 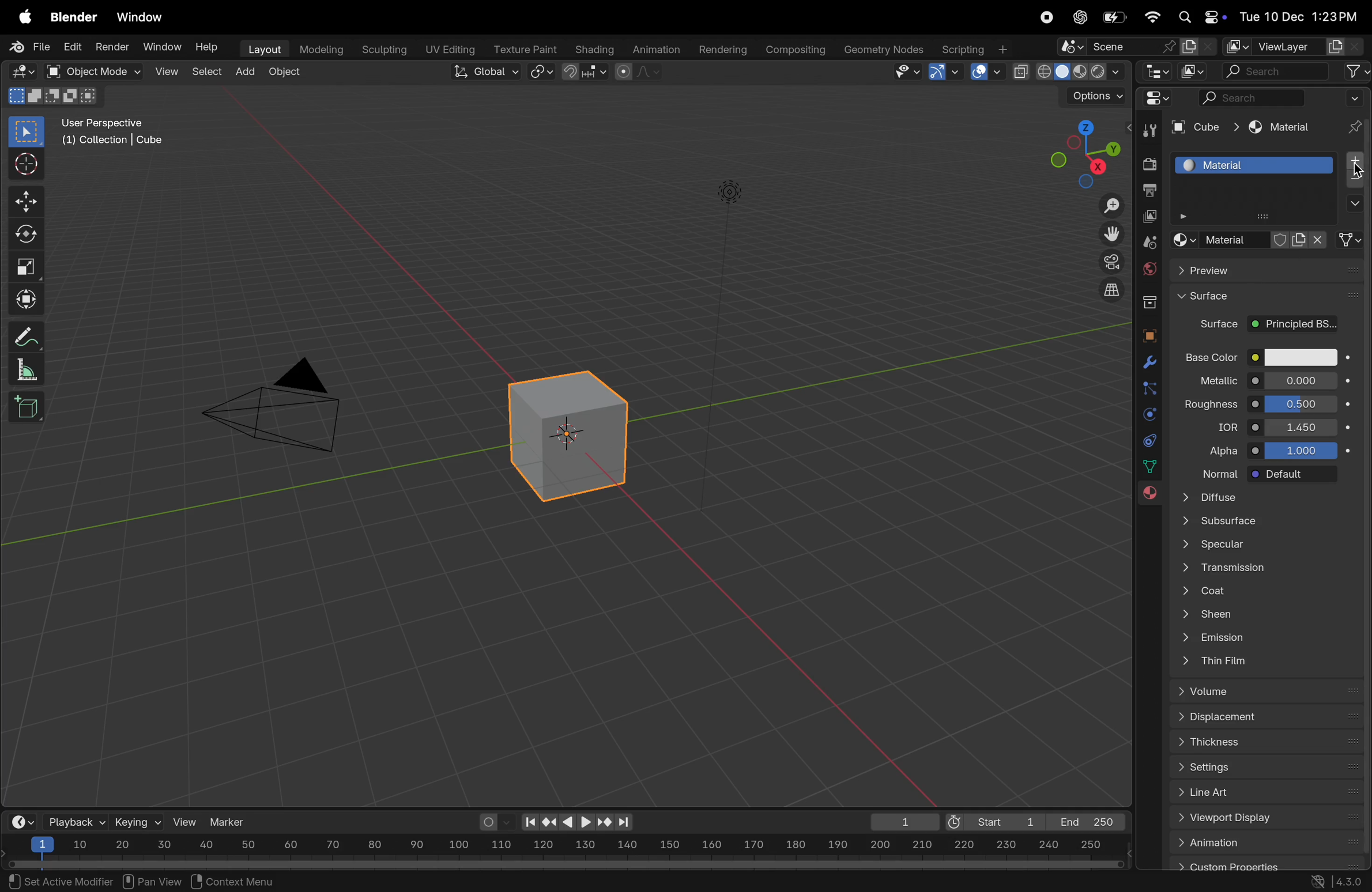 What do you see at coordinates (1264, 791) in the screenshot?
I see `list art` at bounding box center [1264, 791].